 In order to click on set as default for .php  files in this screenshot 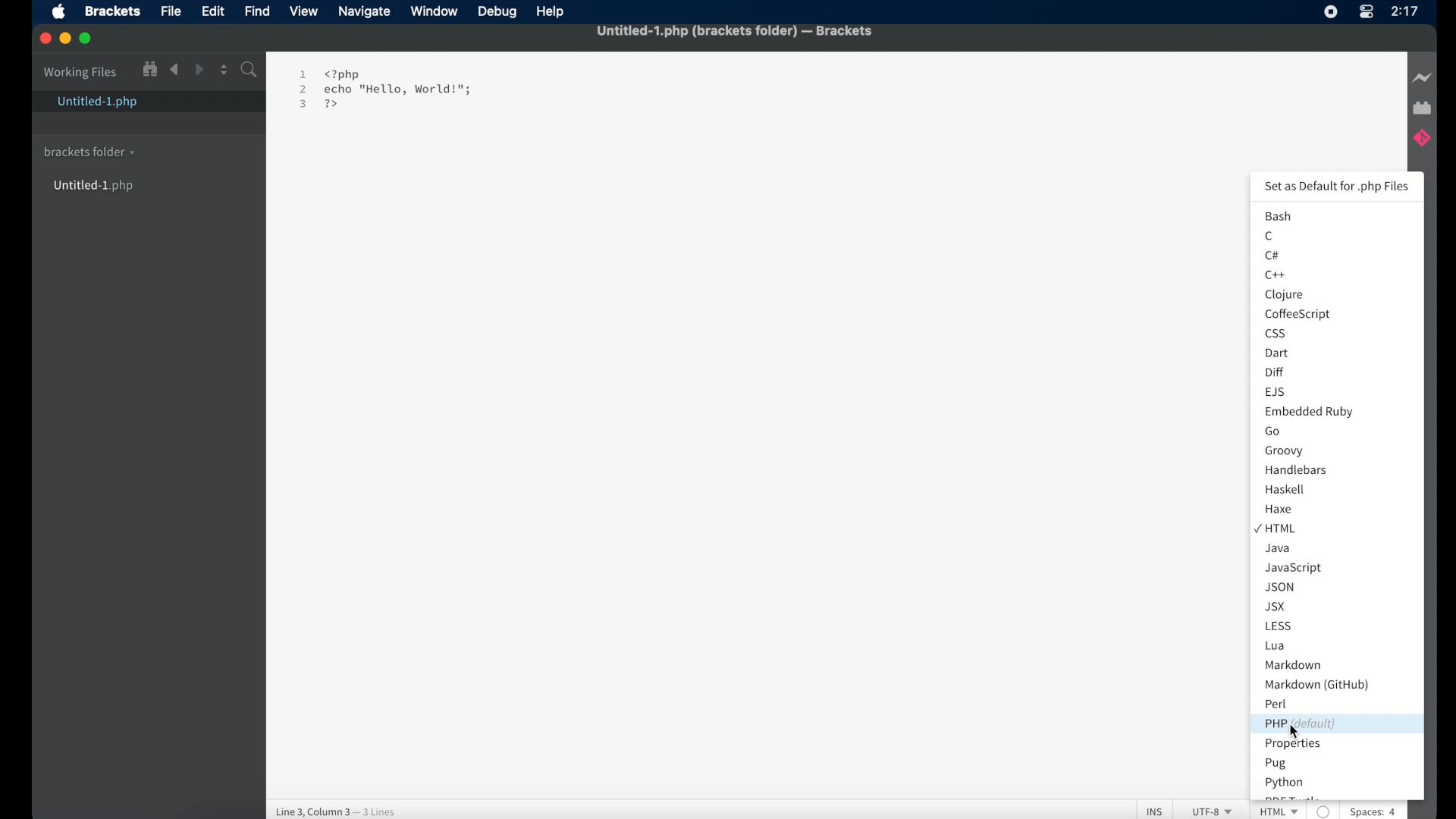, I will do `click(1338, 187)`.